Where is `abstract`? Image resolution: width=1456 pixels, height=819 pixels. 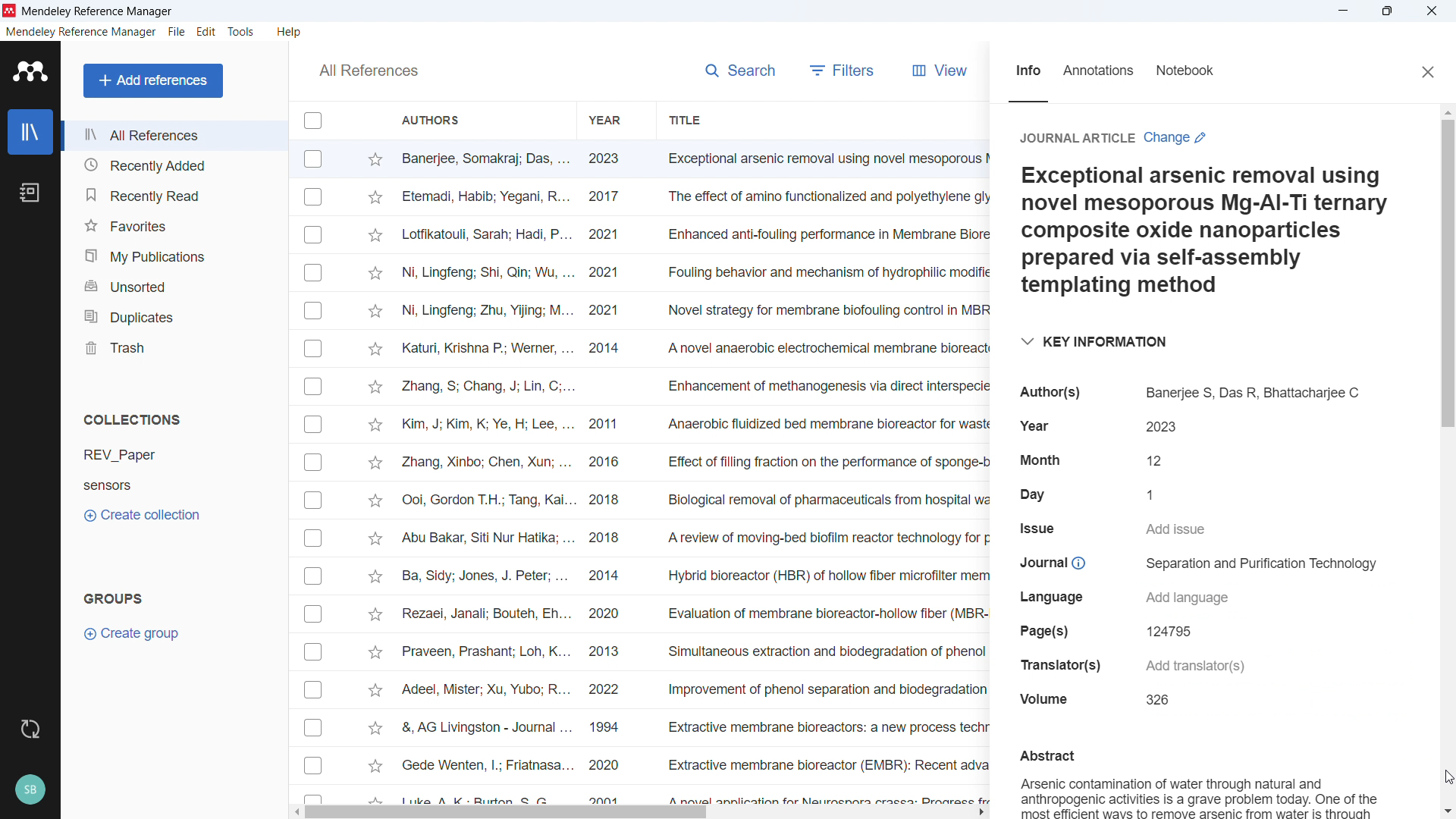
abstract is located at coordinates (1046, 756).